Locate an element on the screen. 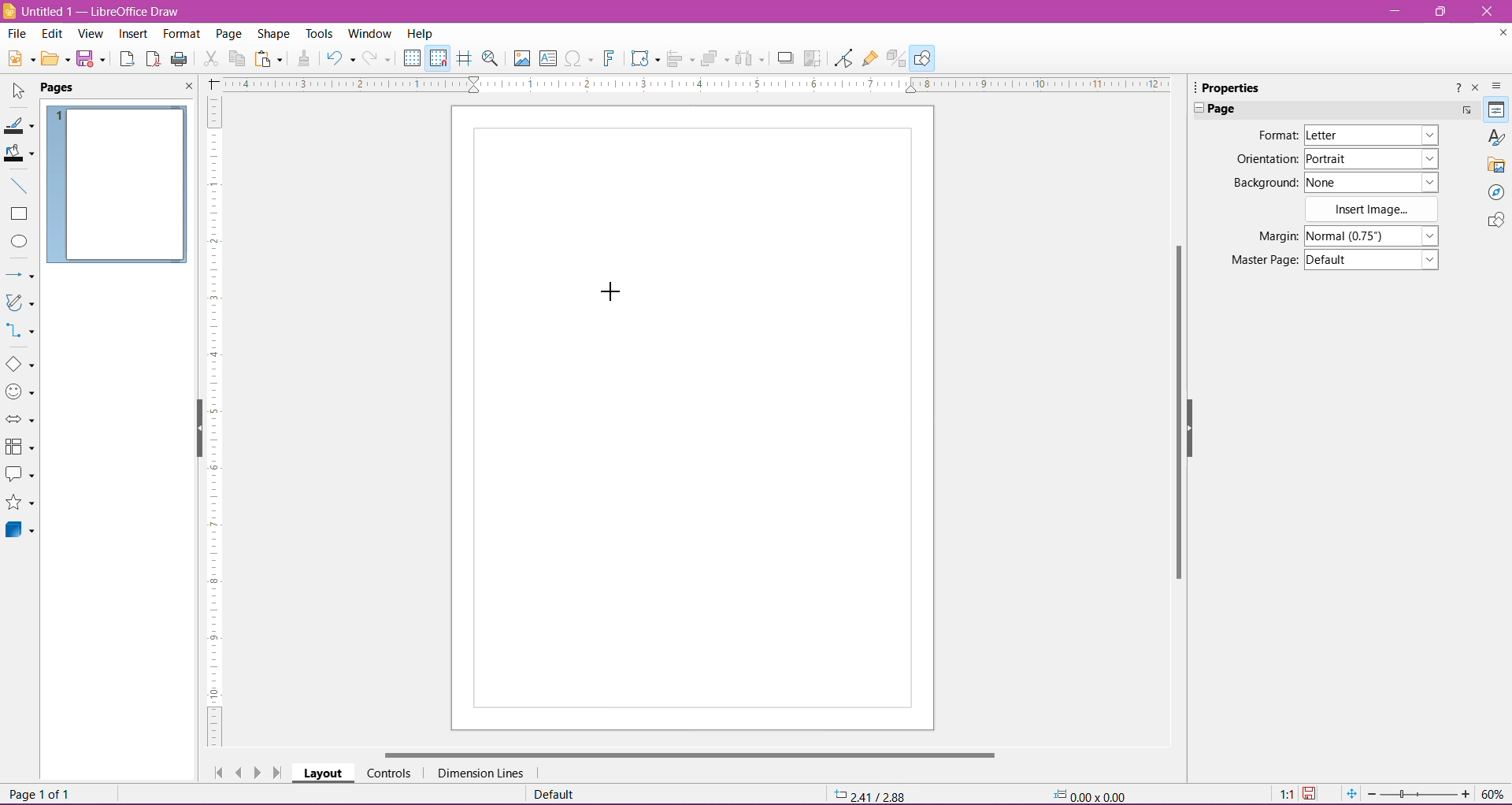 The height and width of the screenshot is (805, 1512). Margin is located at coordinates (1273, 236).